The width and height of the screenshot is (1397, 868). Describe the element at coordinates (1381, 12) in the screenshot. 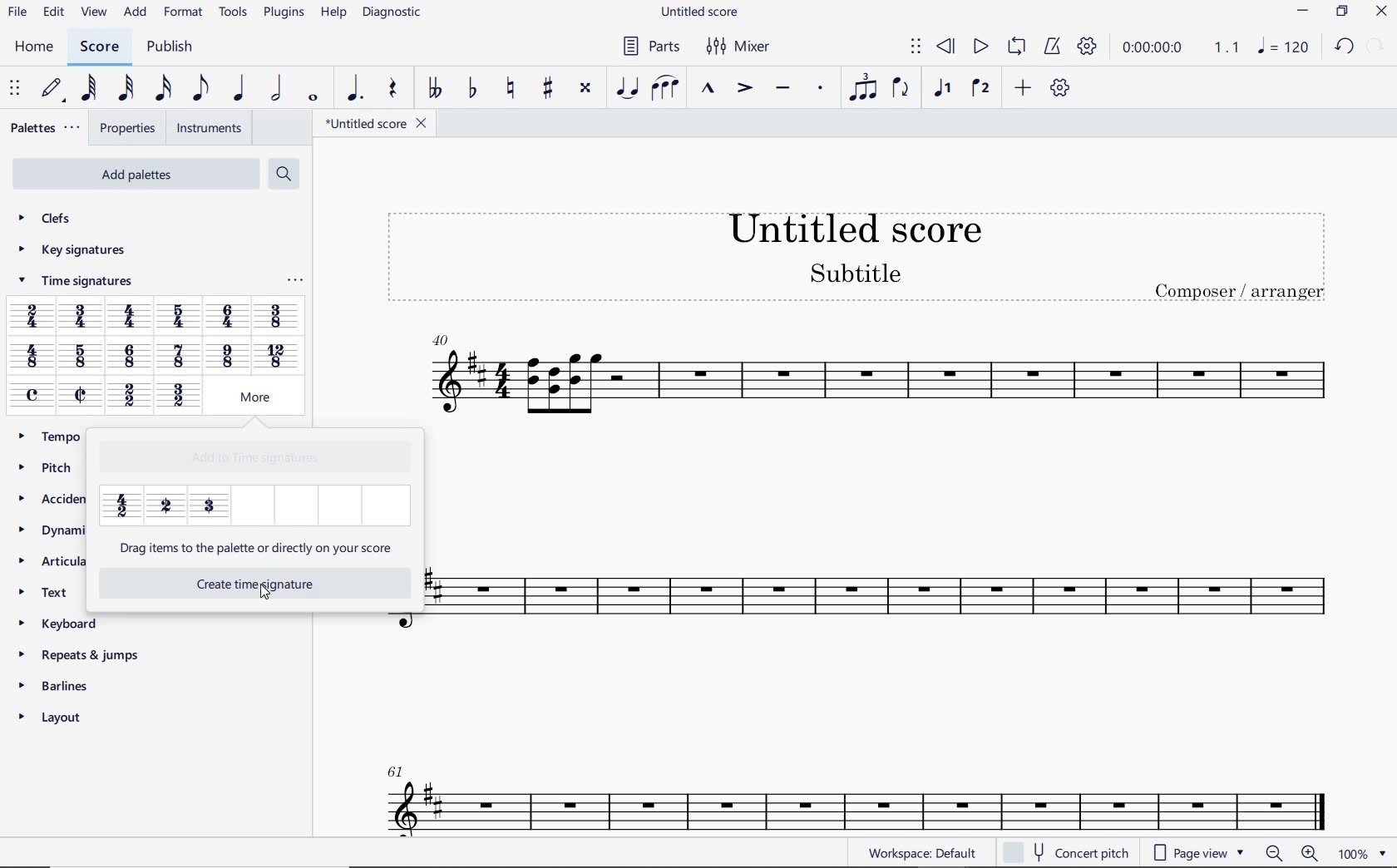

I see `CLOSE` at that location.